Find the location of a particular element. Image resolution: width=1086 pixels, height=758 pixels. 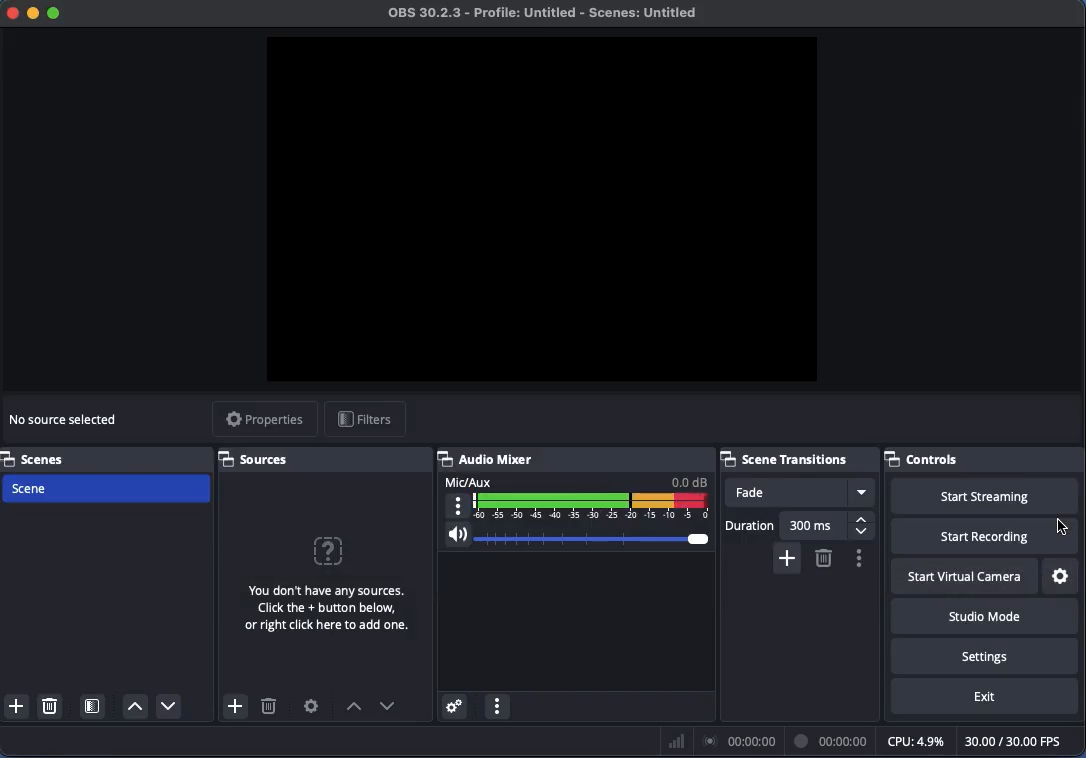

Project name is located at coordinates (548, 14).